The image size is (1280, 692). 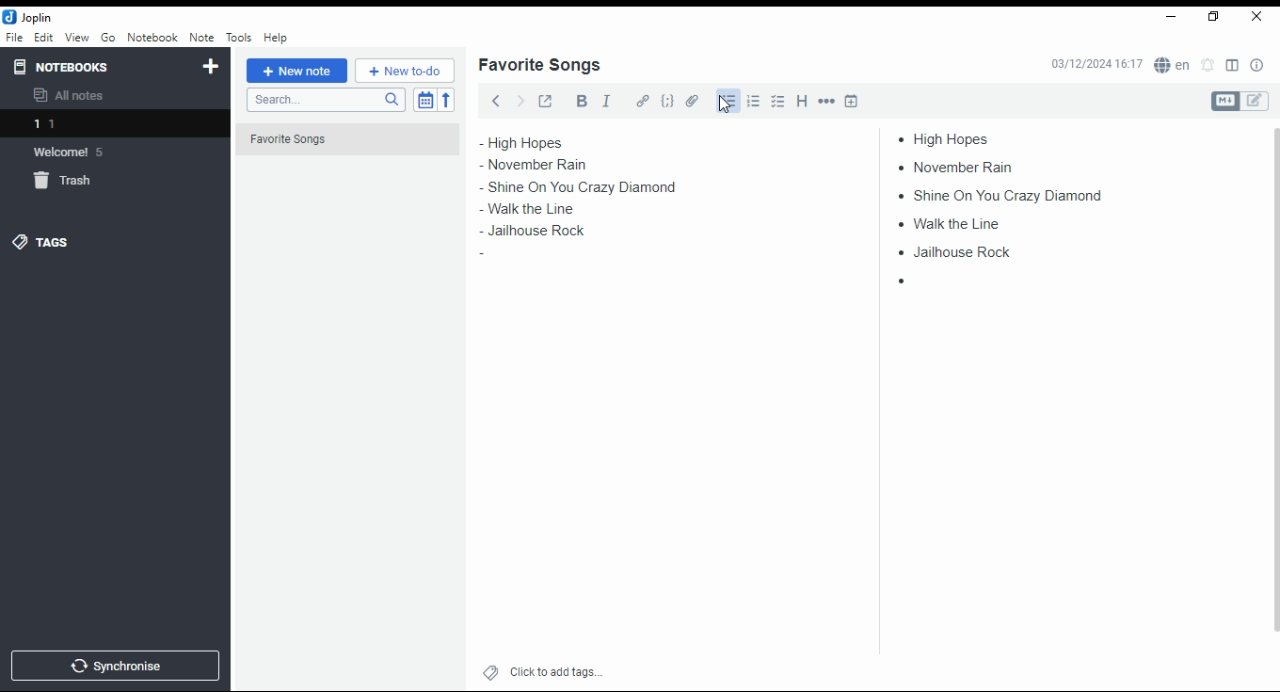 What do you see at coordinates (667, 101) in the screenshot?
I see `code` at bounding box center [667, 101].